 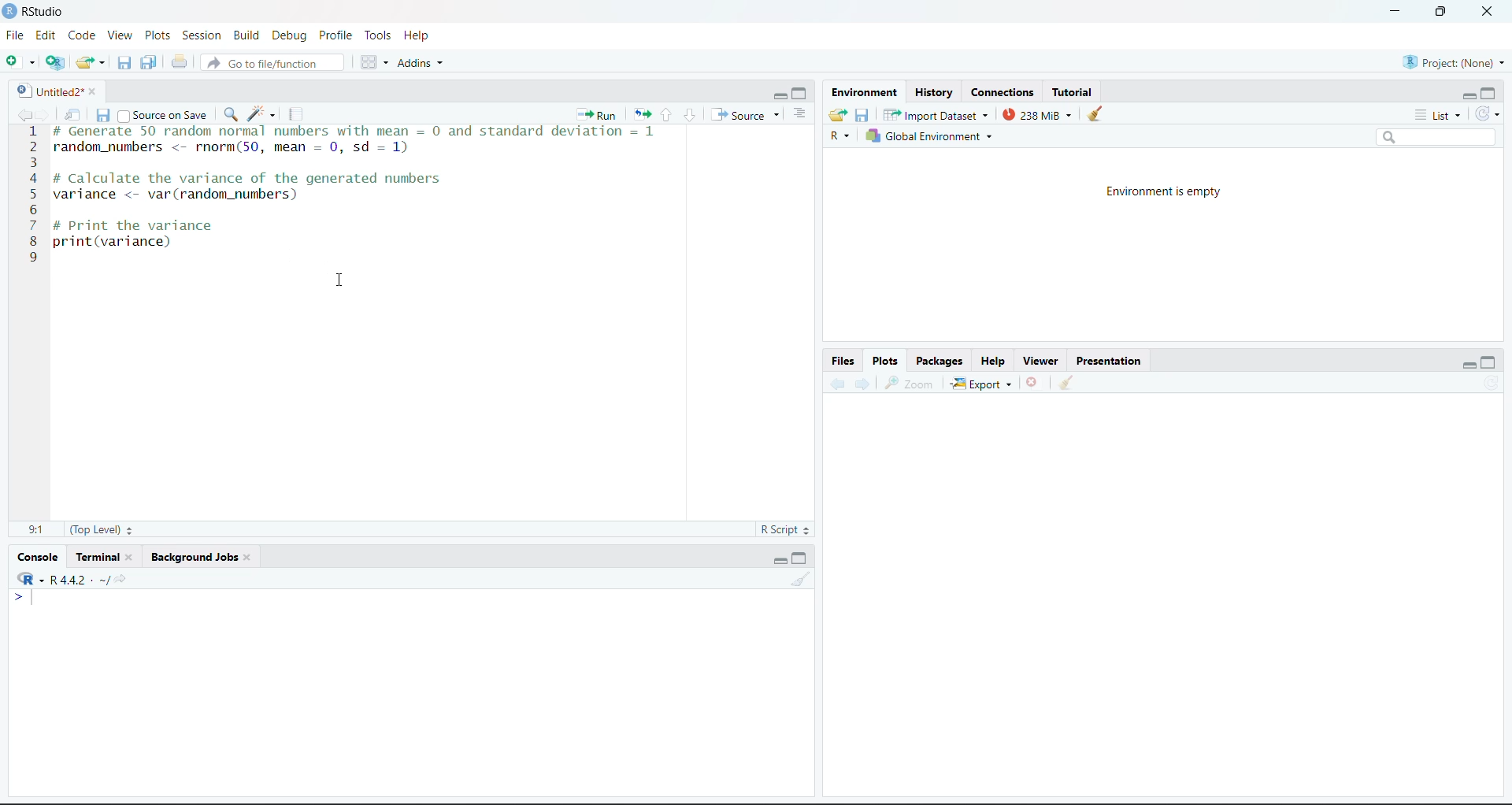 What do you see at coordinates (1037, 114) in the screenshot?
I see `238 Mib` at bounding box center [1037, 114].